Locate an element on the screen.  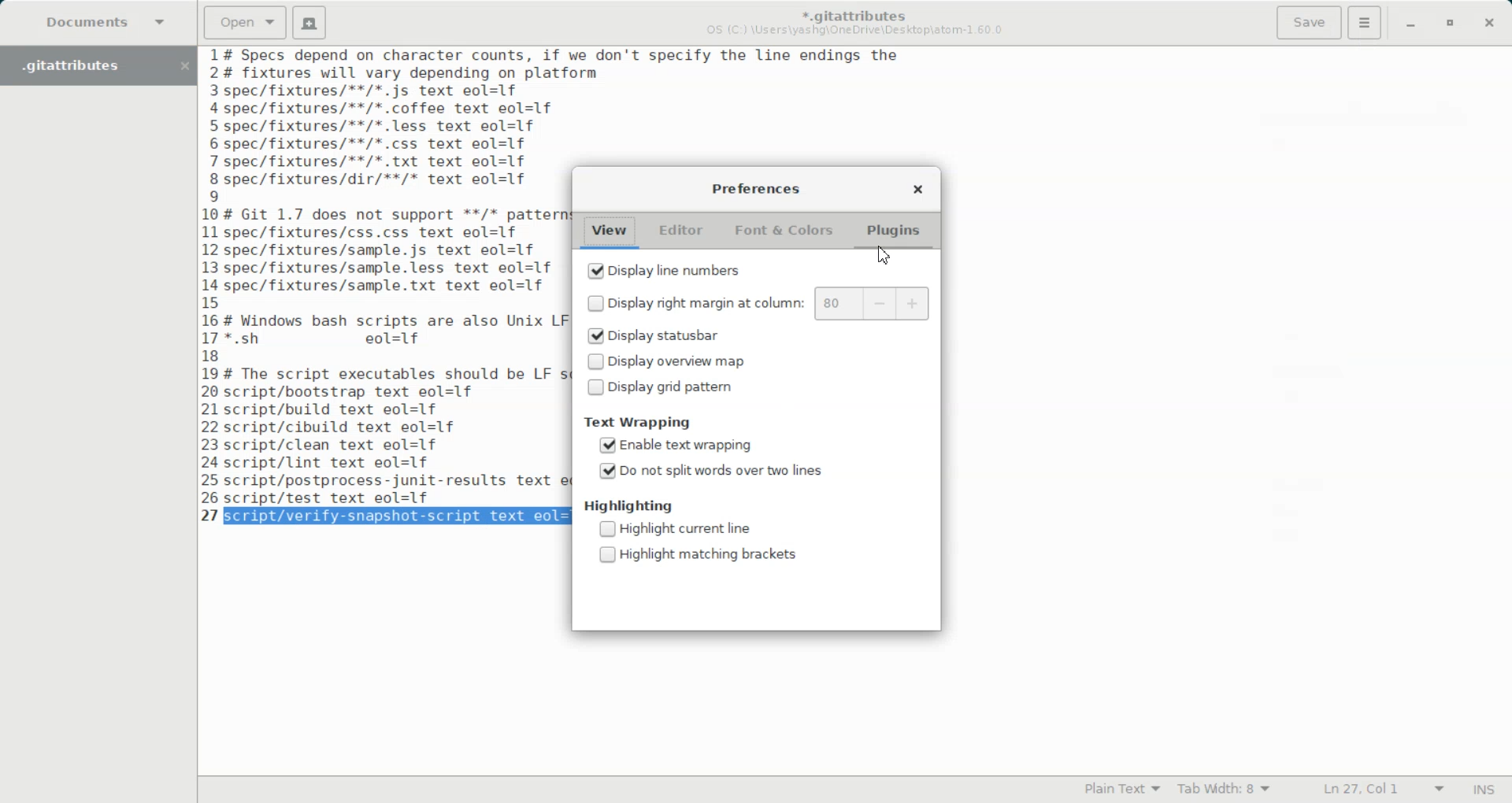
80 is located at coordinates (834, 303).